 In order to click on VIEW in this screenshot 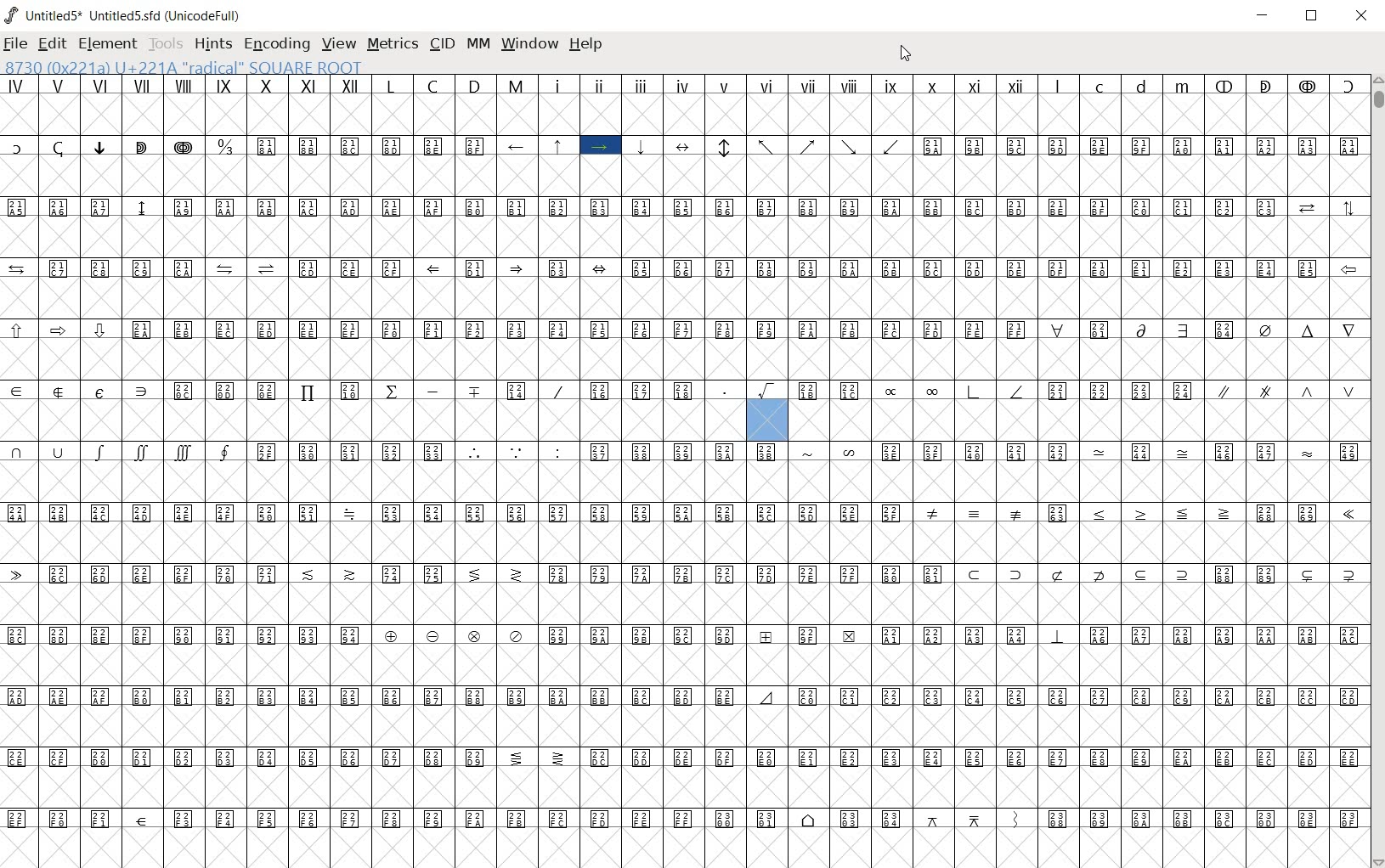, I will do `click(337, 44)`.